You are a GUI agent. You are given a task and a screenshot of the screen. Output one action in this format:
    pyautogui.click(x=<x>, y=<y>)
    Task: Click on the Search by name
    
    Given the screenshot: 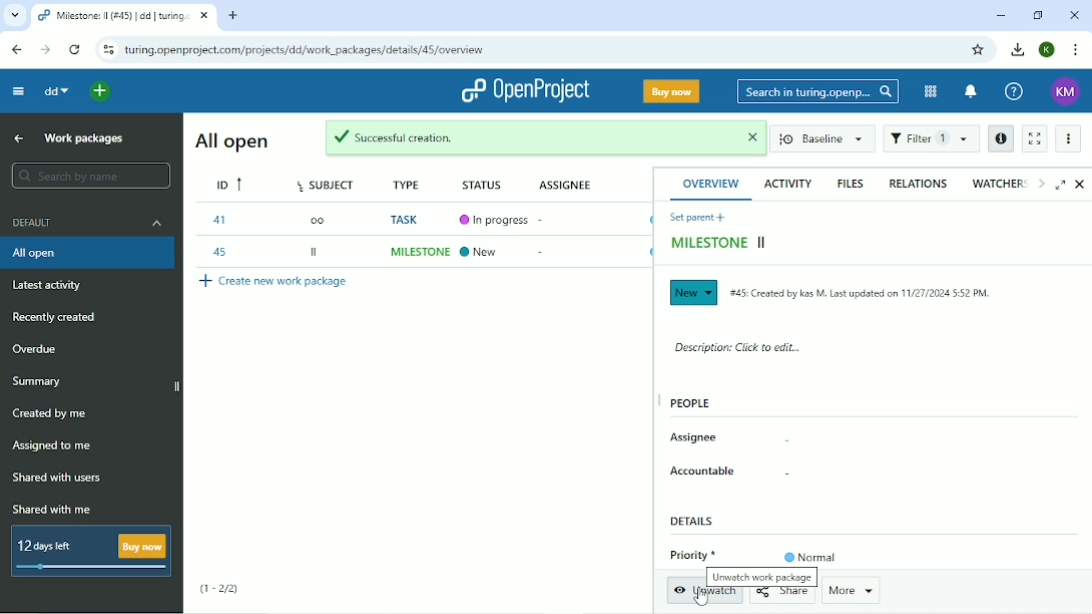 What is the action you would take?
    pyautogui.click(x=92, y=175)
    